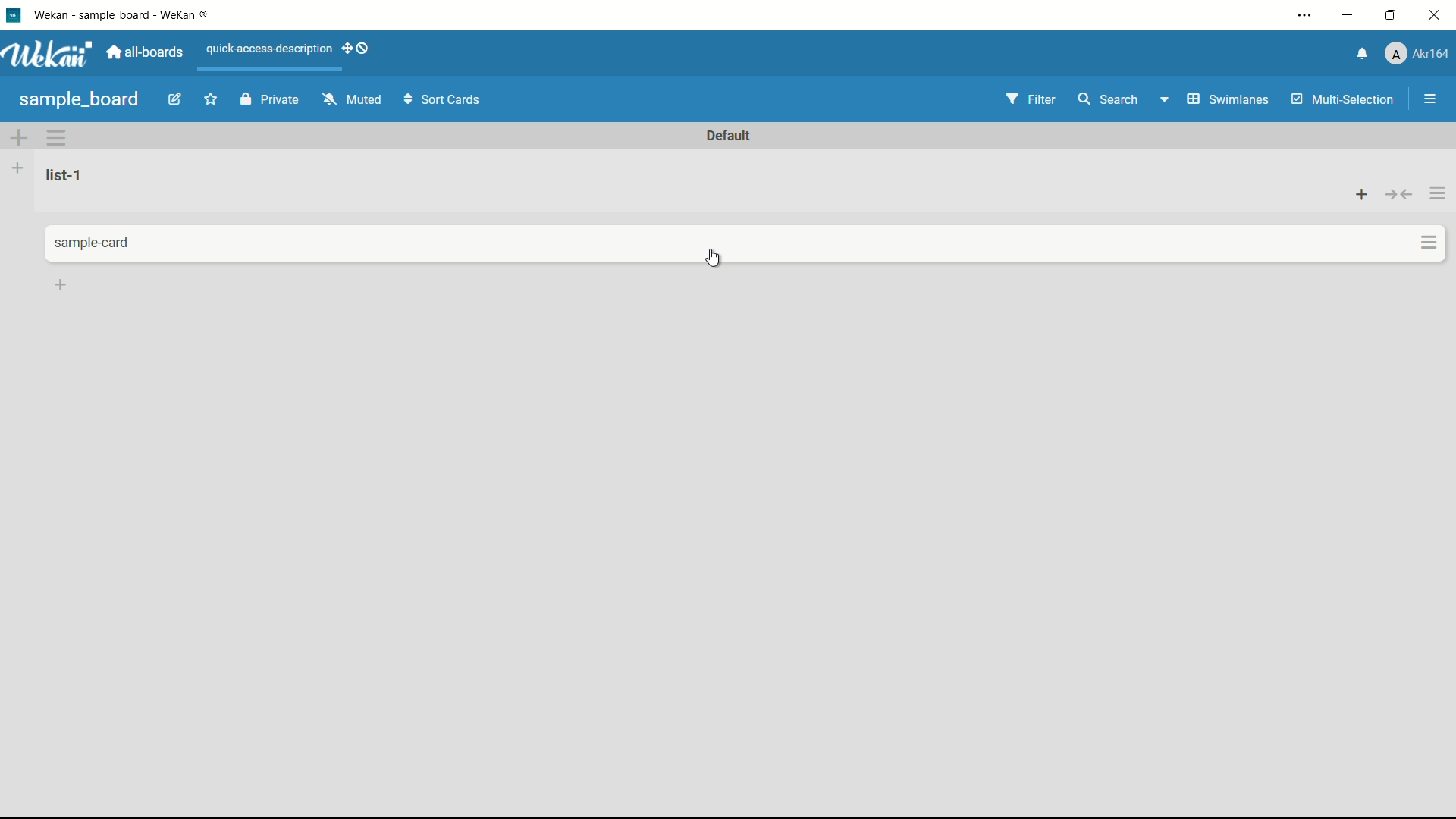 The image size is (1456, 819). Describe the element at coordinates (58, 137) in the screenshot. I see `swimlane actions` at that location.